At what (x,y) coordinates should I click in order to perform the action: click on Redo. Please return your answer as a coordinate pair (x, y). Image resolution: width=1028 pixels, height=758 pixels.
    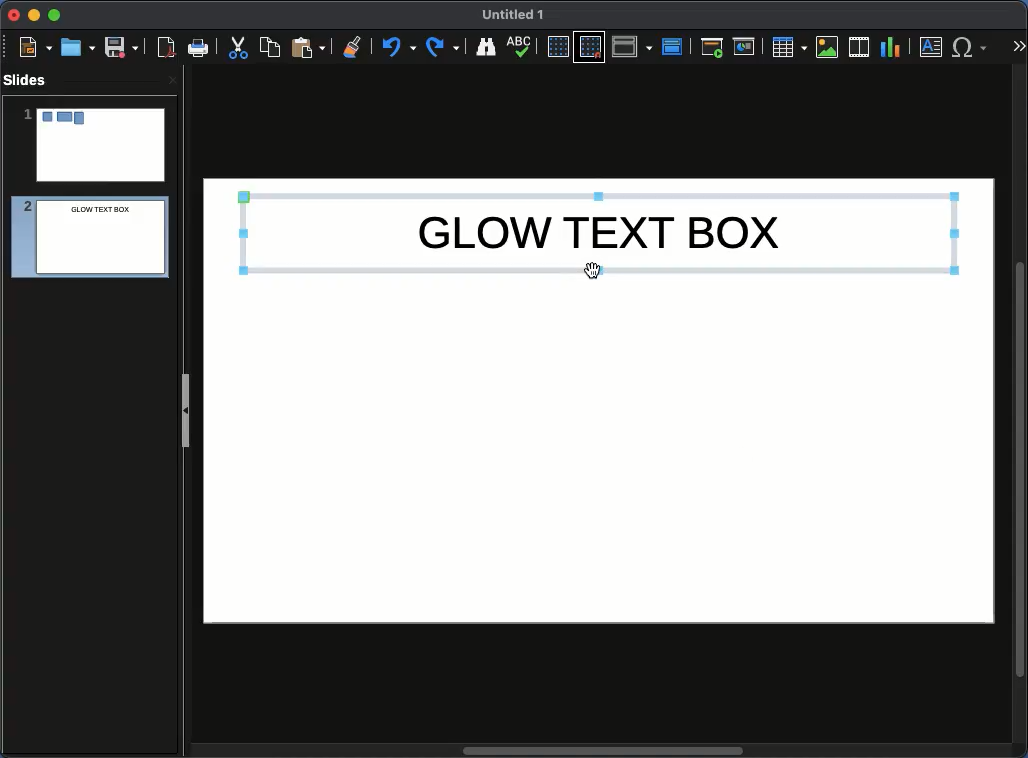
    Looking at the image, I should click on (444, 47).